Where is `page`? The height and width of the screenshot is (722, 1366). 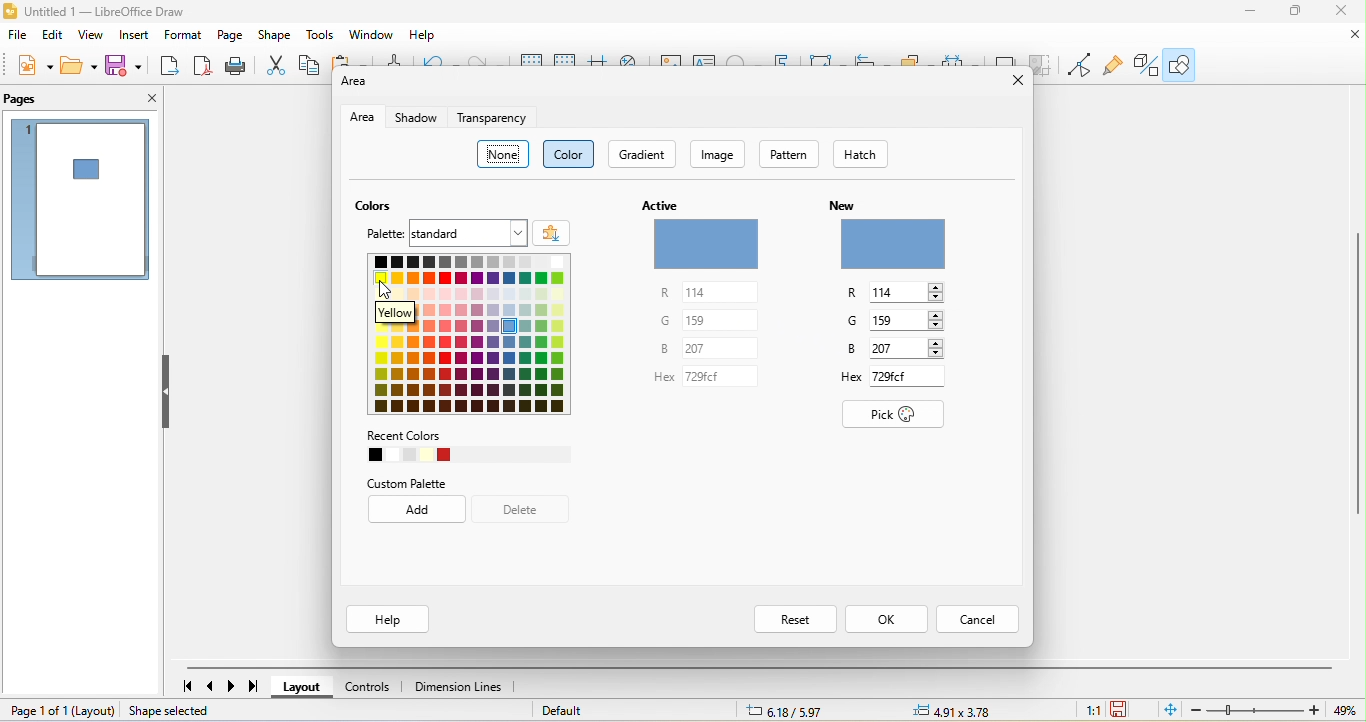 page is located at coordinates (232, 36).